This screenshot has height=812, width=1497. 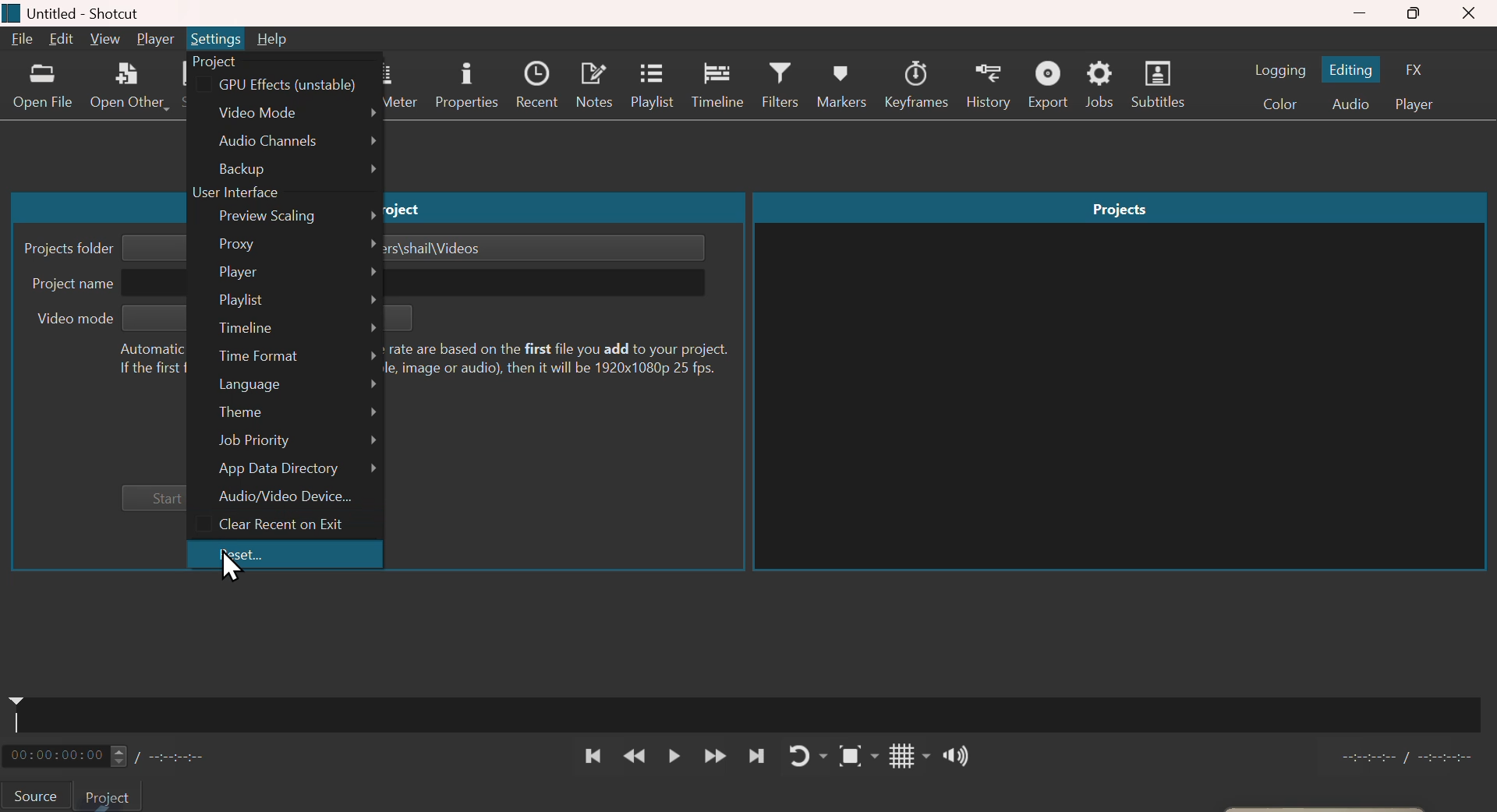 What do you see at coordinates (844, 84) in the screenshot?
I see `Markers` at bounding box center [844, 84].